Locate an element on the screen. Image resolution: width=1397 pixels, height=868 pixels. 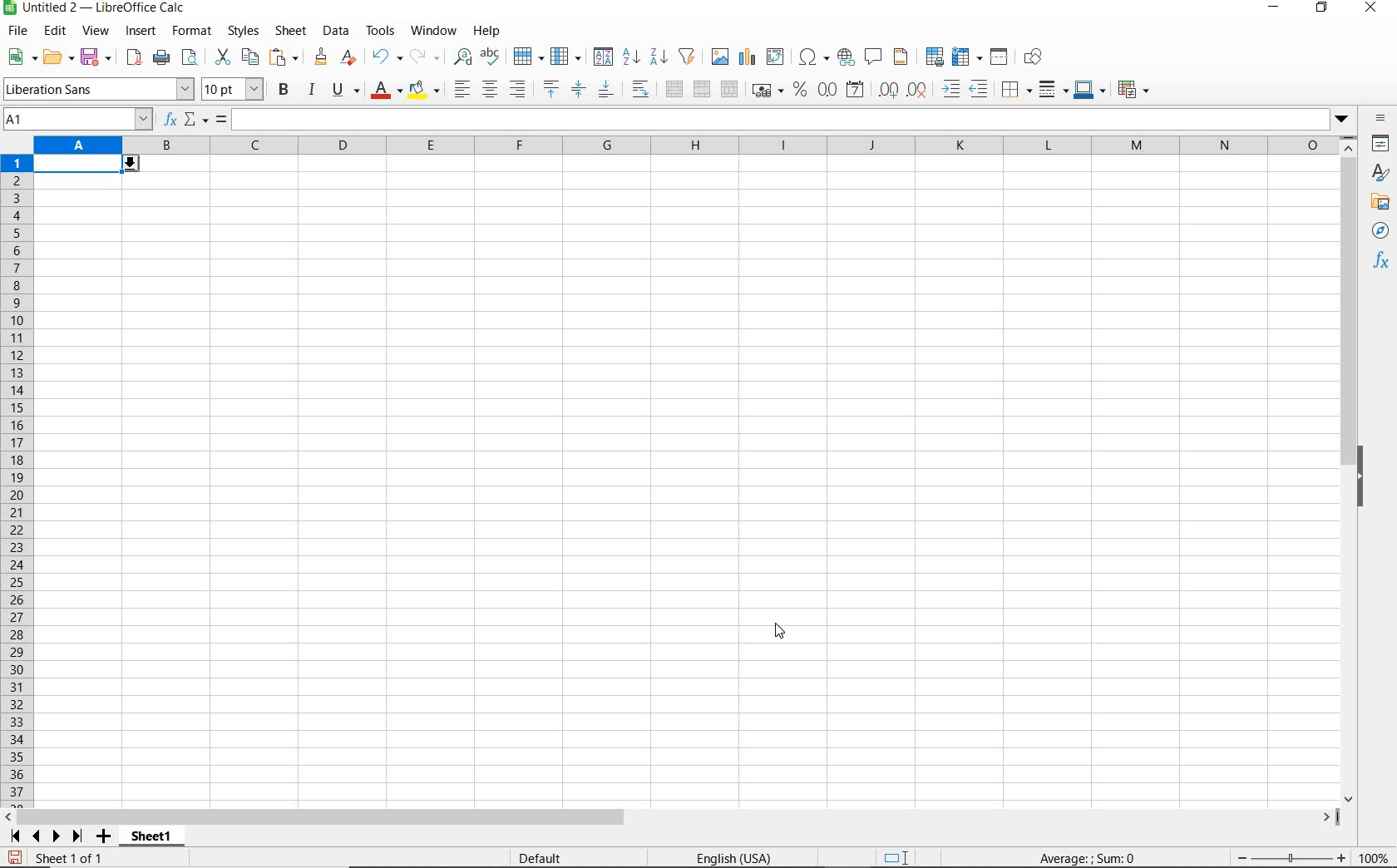
zoom out or zoom in is located at coordinates (1285, 857).